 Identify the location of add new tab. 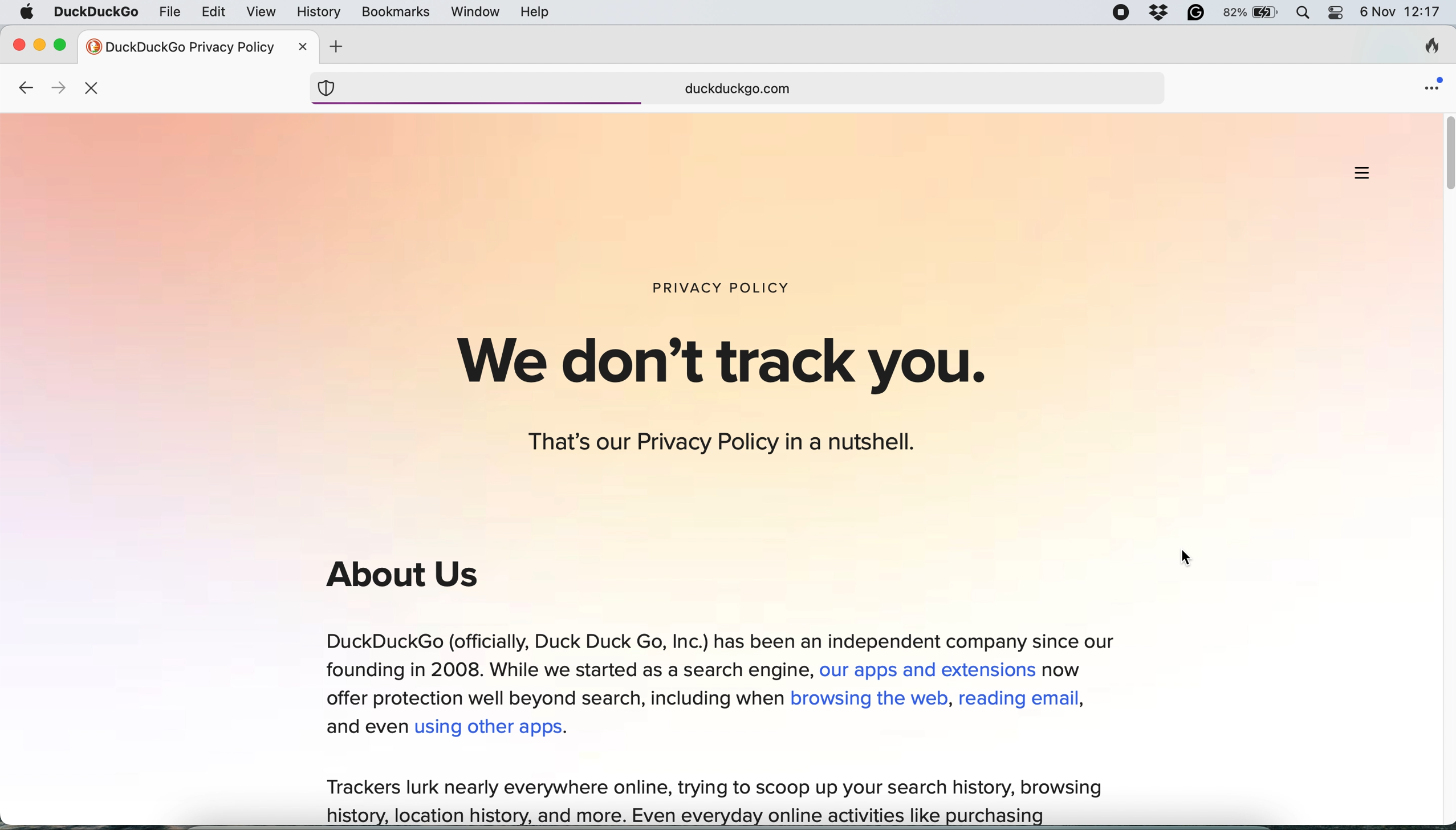
(335, 47).